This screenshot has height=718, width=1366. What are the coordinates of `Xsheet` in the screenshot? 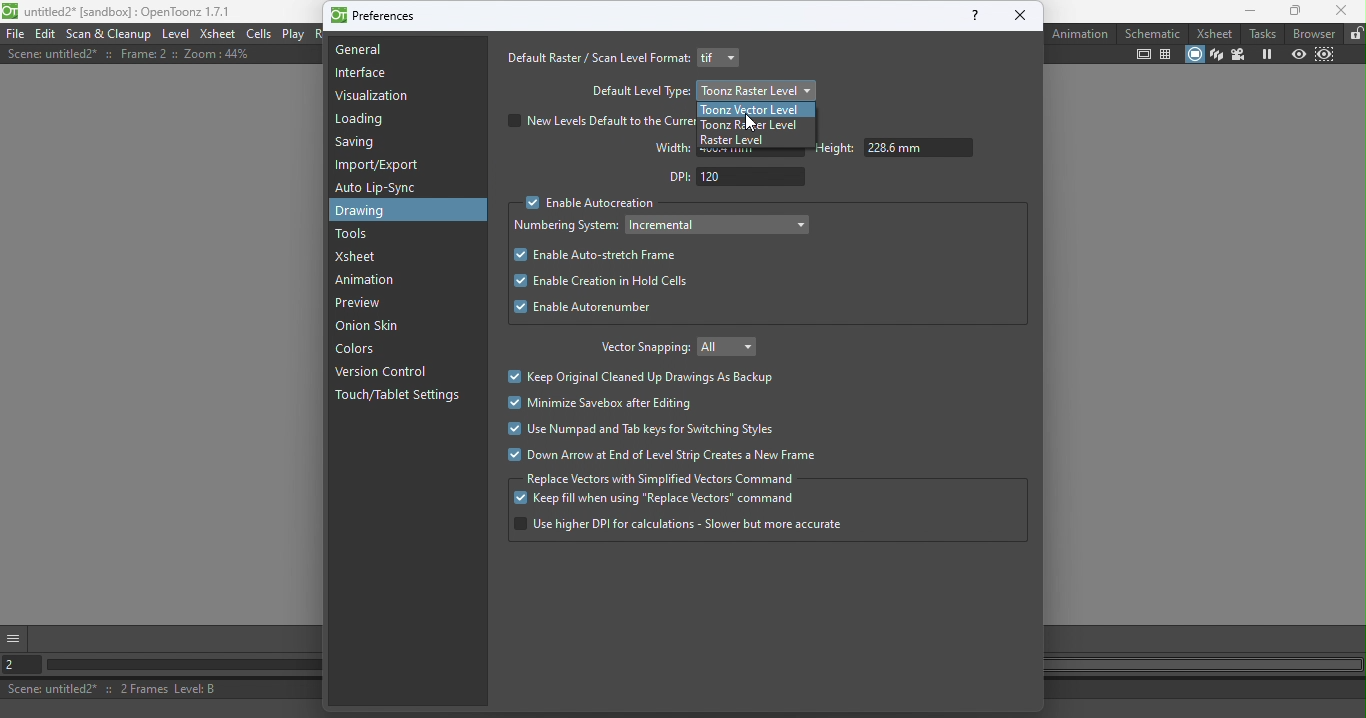 It's located at (361, 257).